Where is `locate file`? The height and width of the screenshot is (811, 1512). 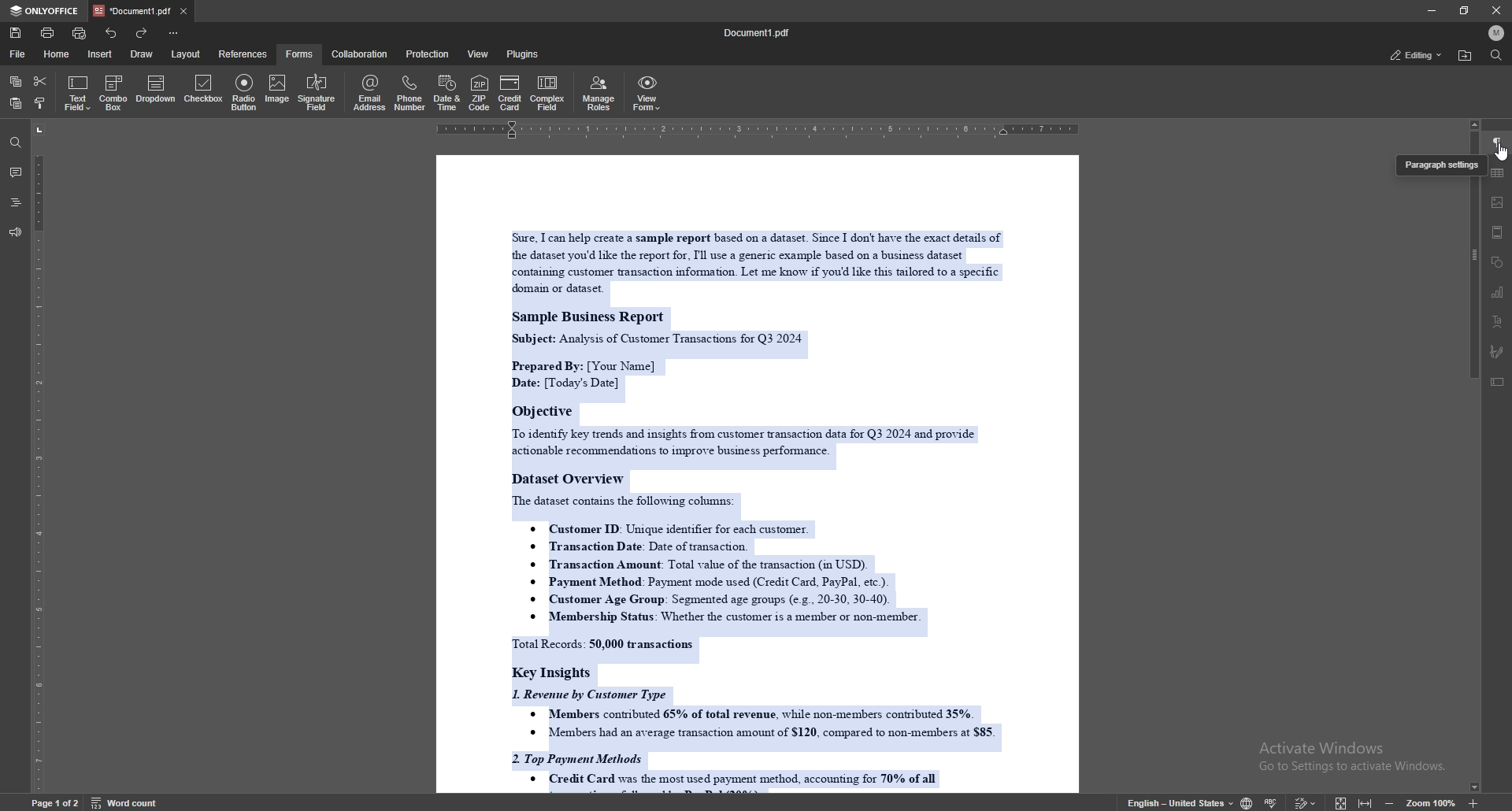 locate file is located at coordinates (1465, 56).